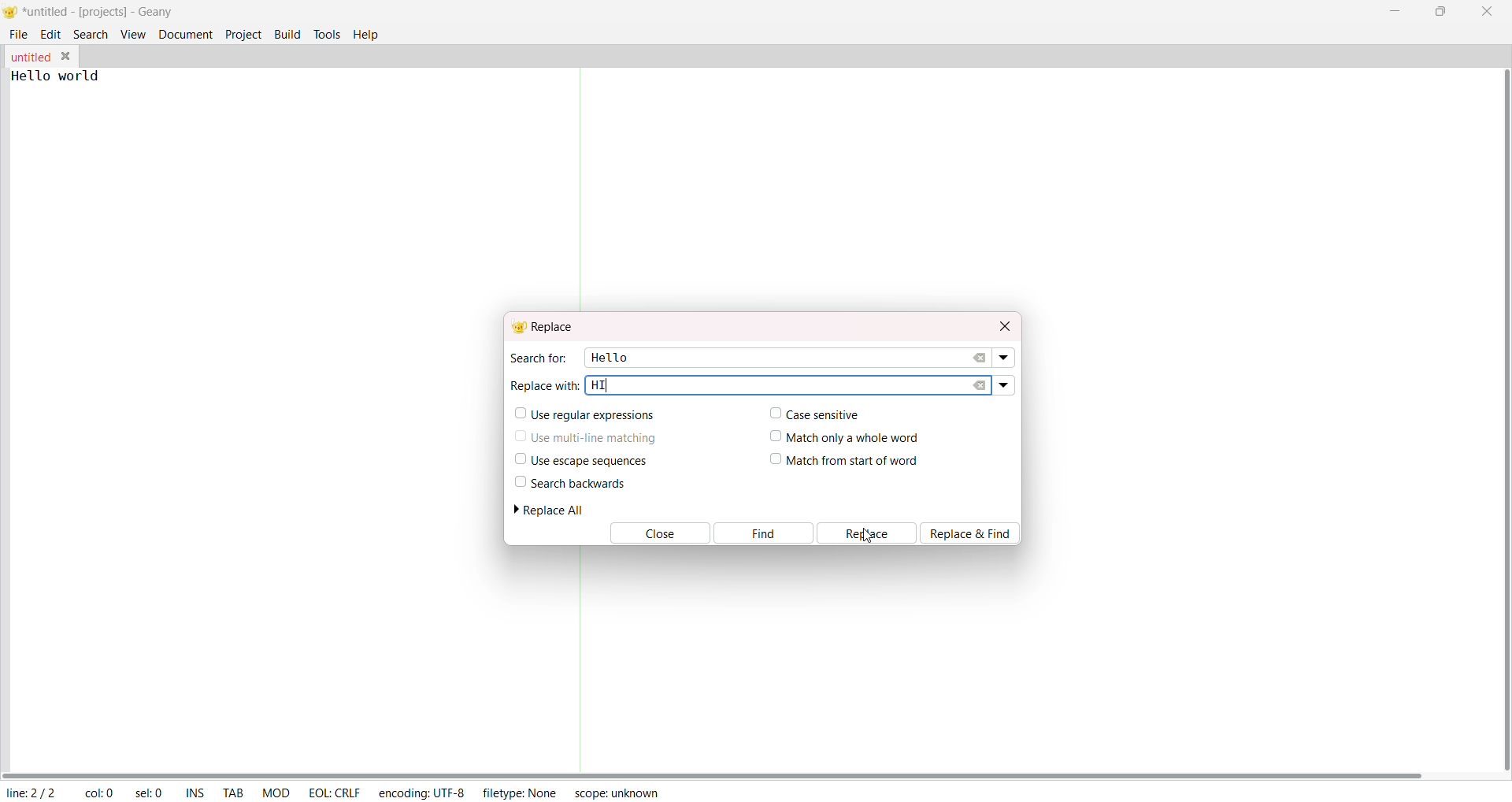 This screenshot has height=802, width=1512. What do you see at coordinates (243, 33) in the screenshot?
I see `project` at bounding box center [243, 33].